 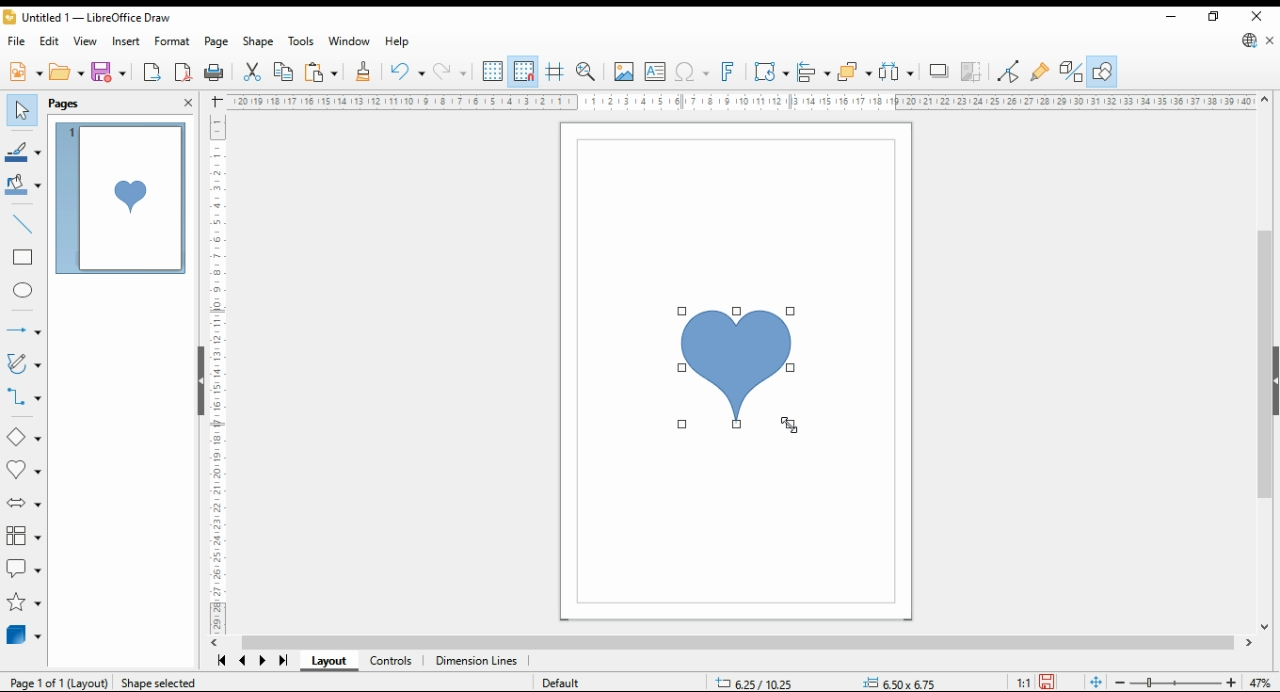 What do you see at coordinates (22, 109) in the screenshot?
I see `select` at bounding box center [22, 109].